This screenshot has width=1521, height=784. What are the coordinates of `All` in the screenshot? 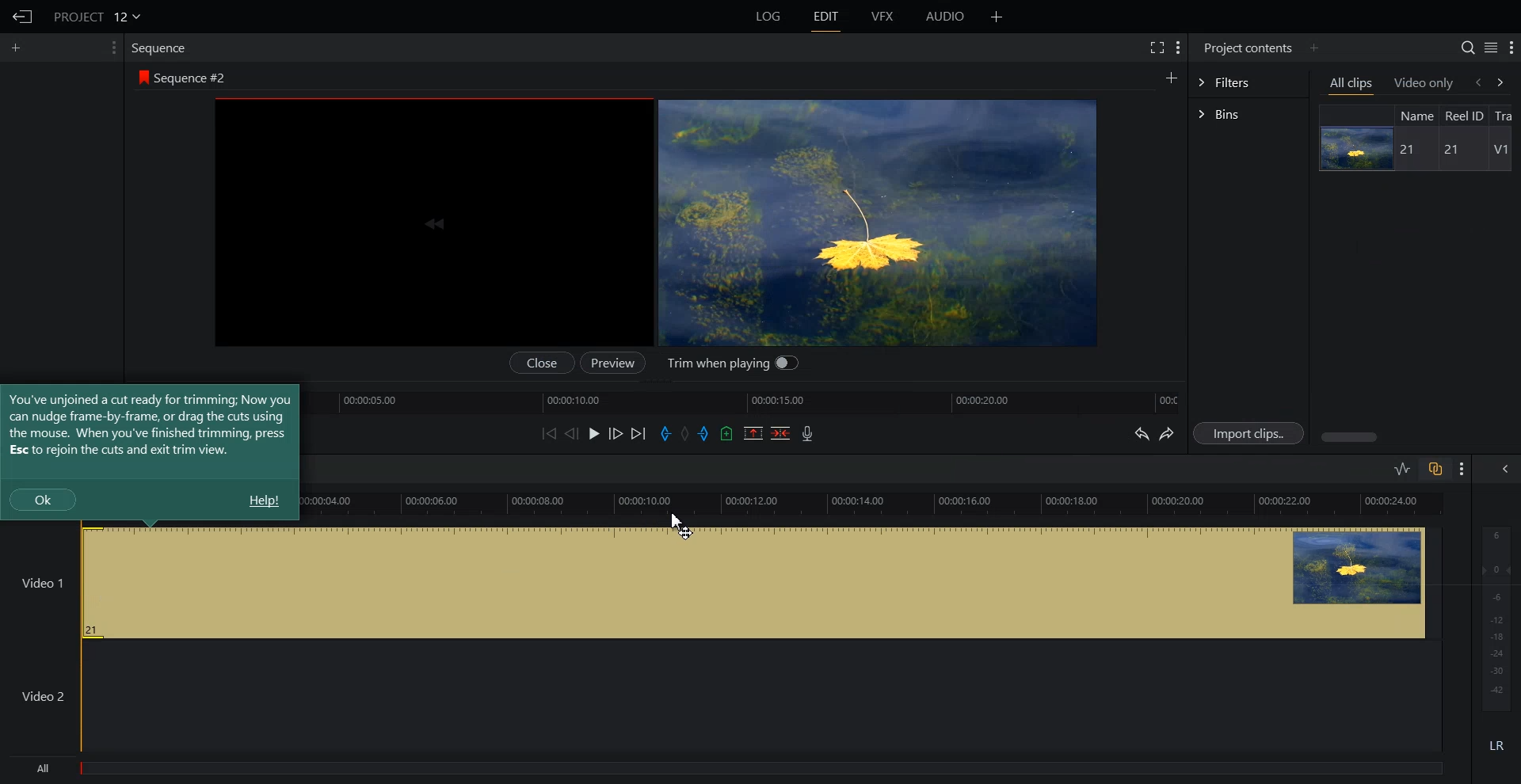 It's located at (728, 770).